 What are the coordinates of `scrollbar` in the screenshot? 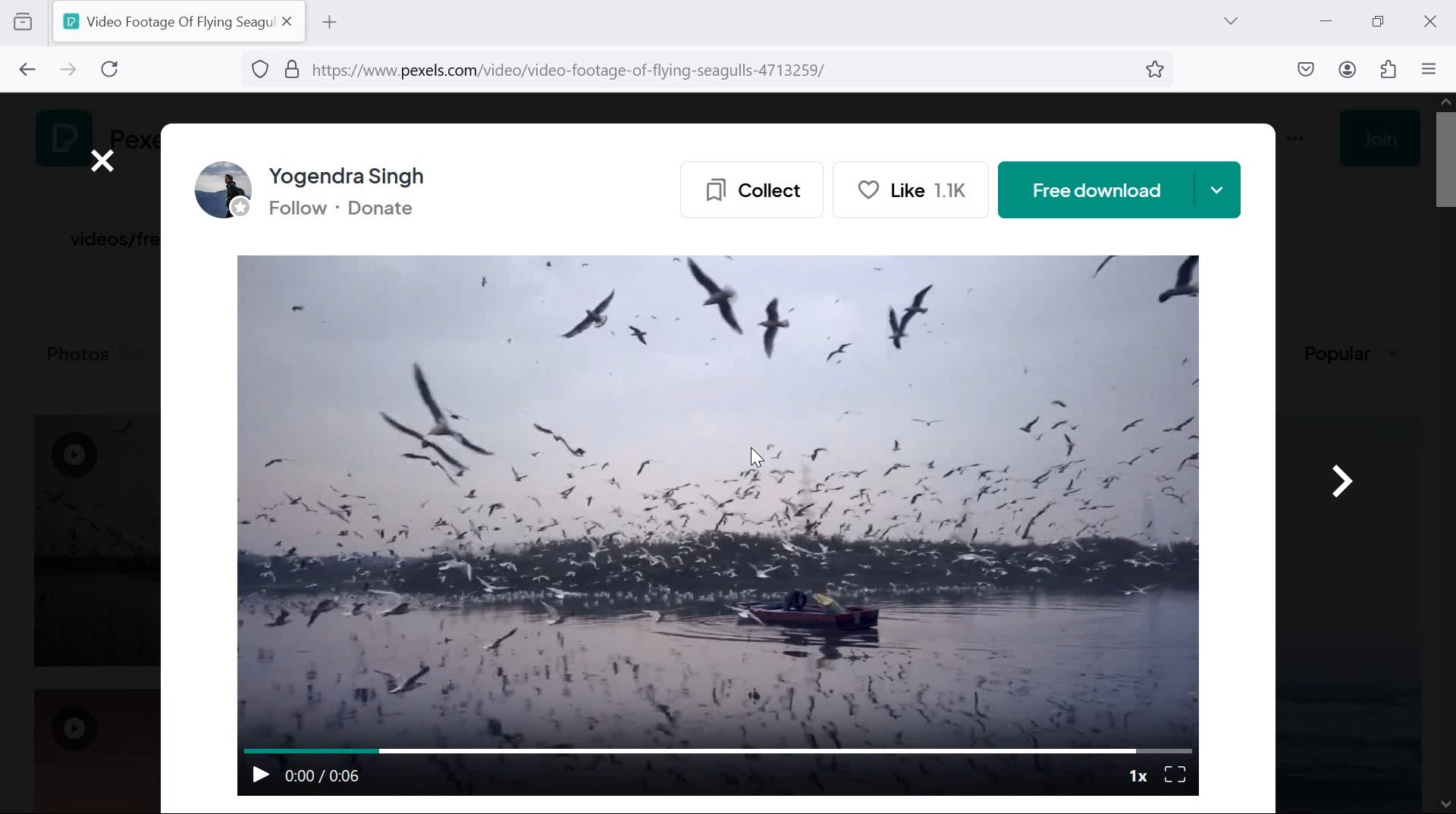 It's located at (1443, 456).